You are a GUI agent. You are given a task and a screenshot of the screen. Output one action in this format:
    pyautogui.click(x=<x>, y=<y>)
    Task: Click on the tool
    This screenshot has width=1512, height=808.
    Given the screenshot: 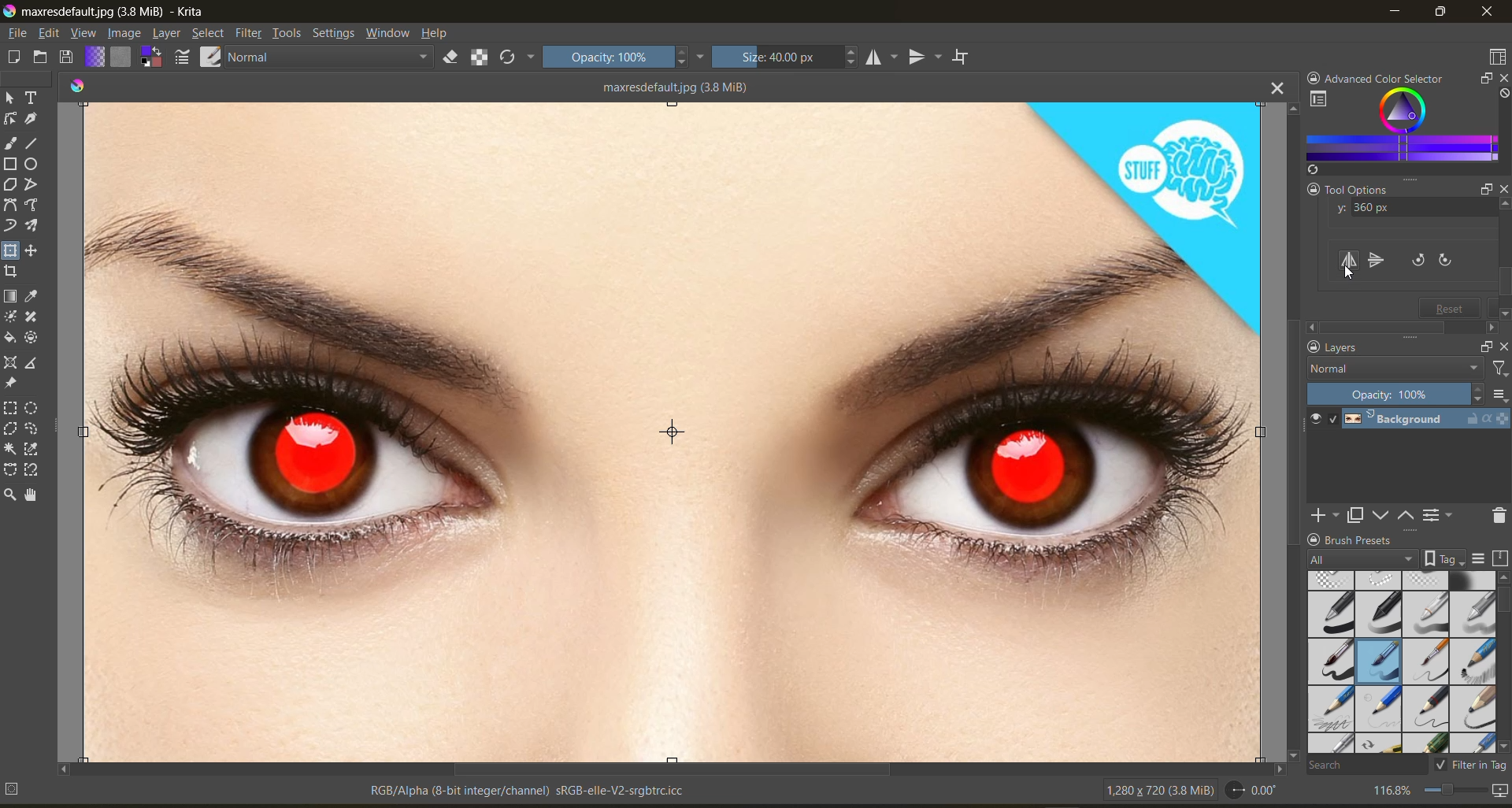 What is the action you would take?
    pyautogui.click(x=10, y=447)
    